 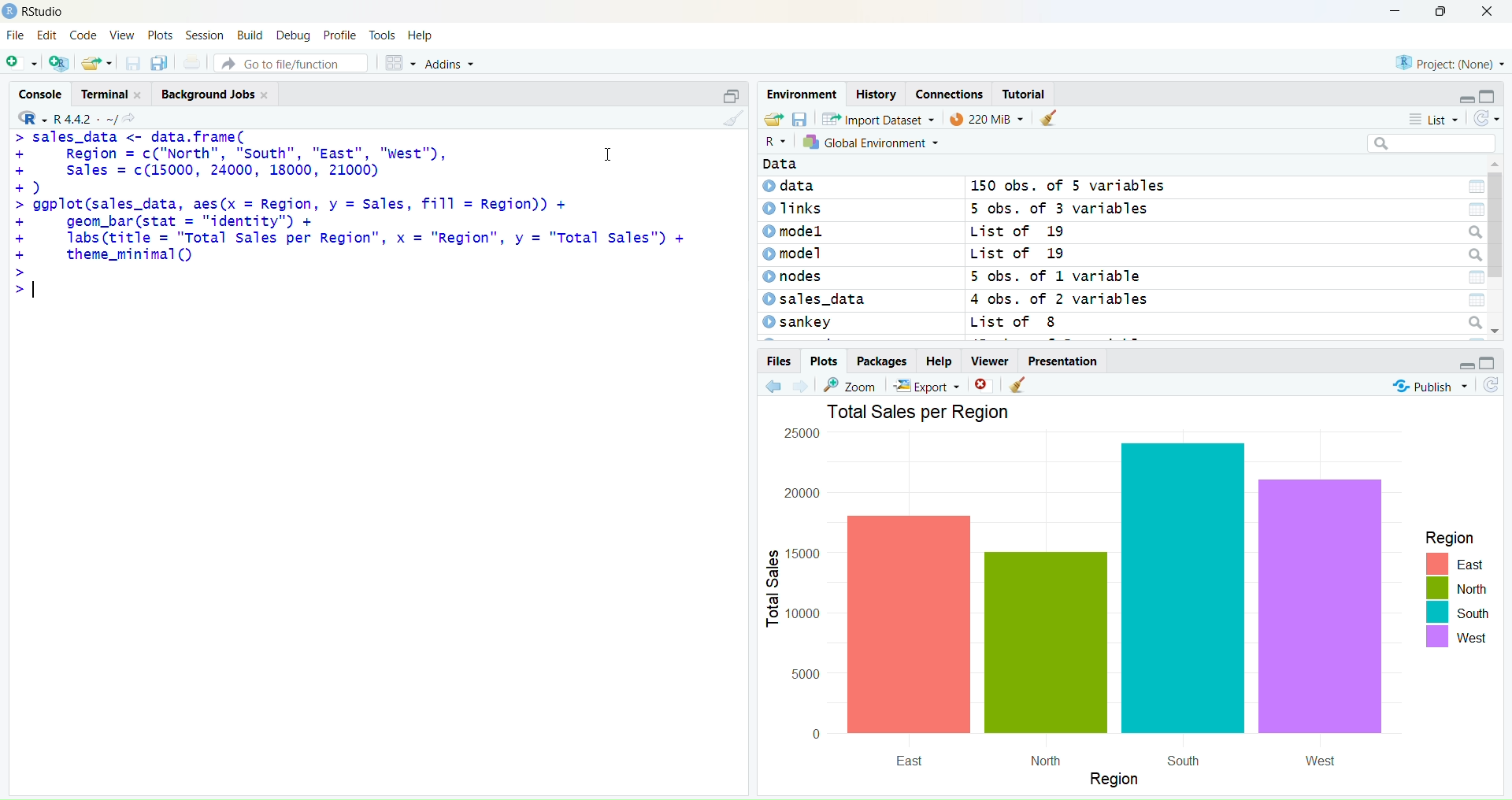 I want to click on 220 MiB, so click(x=984, y=120).